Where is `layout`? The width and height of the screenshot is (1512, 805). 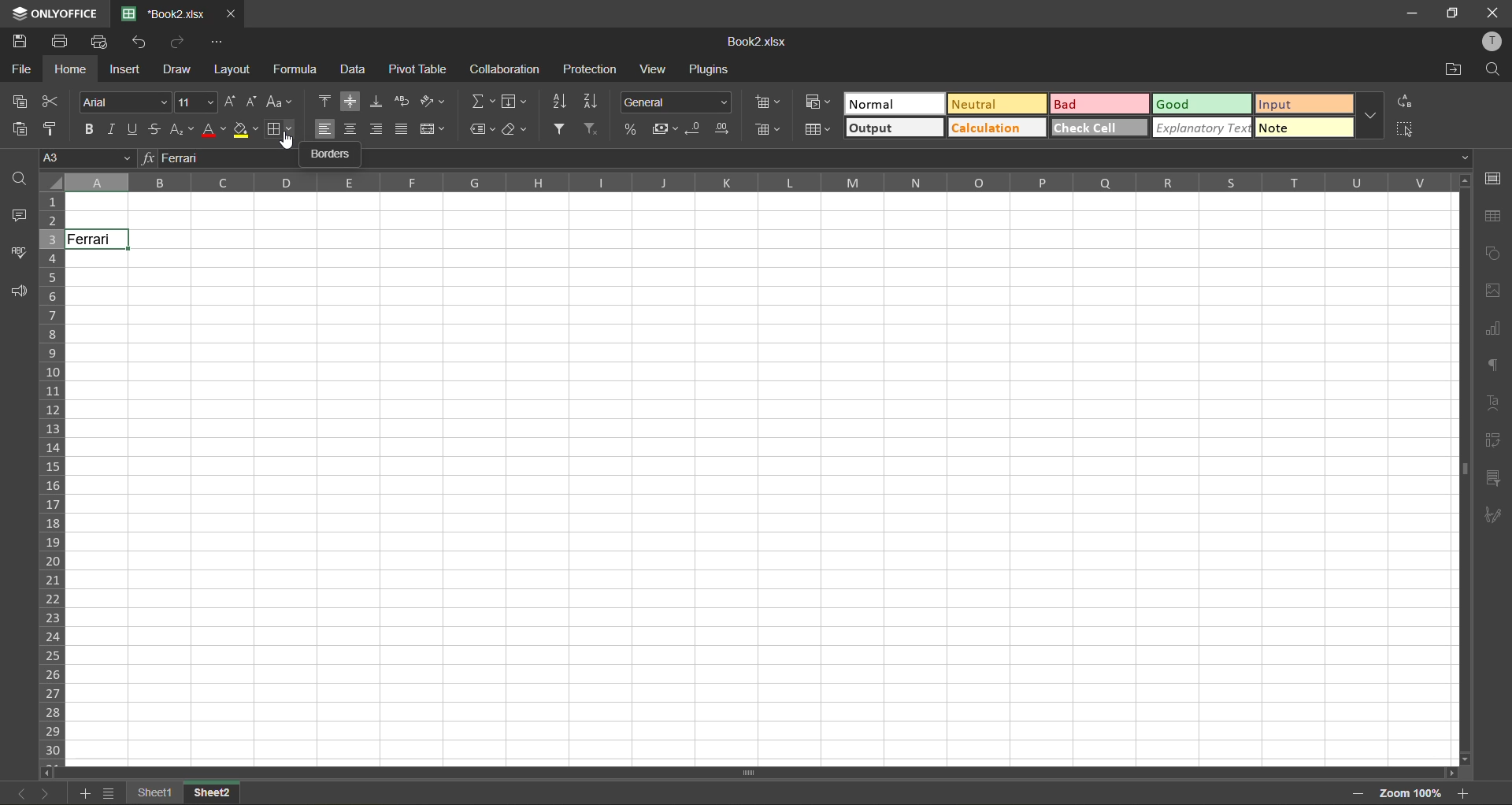 layout is located at coordinates (231, 69).